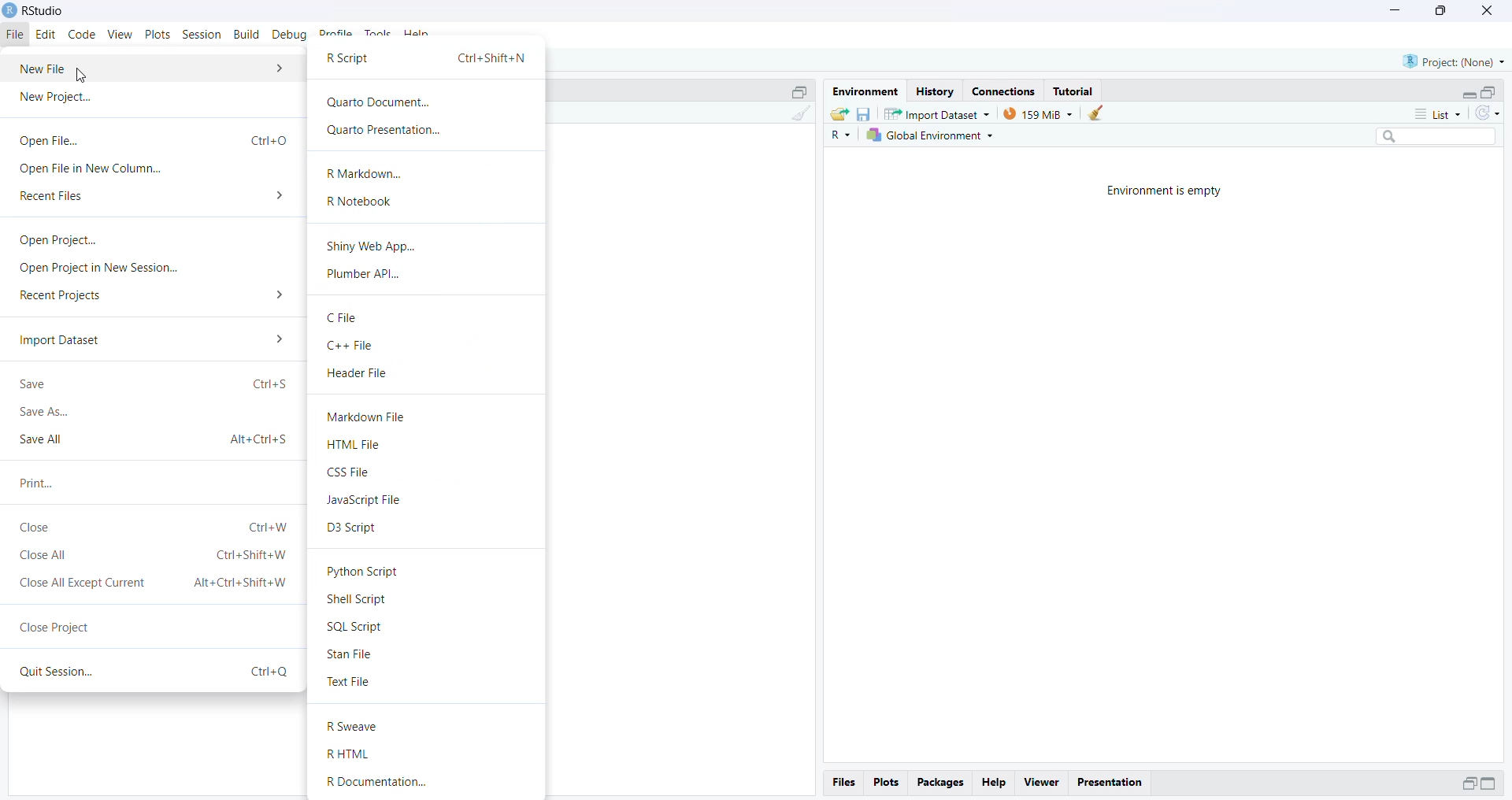 The width and height of the screenshot is (1512, 800). Describe the element at coordinates (427, 60) in the screenshot. I see `R script ctrl+shift+N` at that location.